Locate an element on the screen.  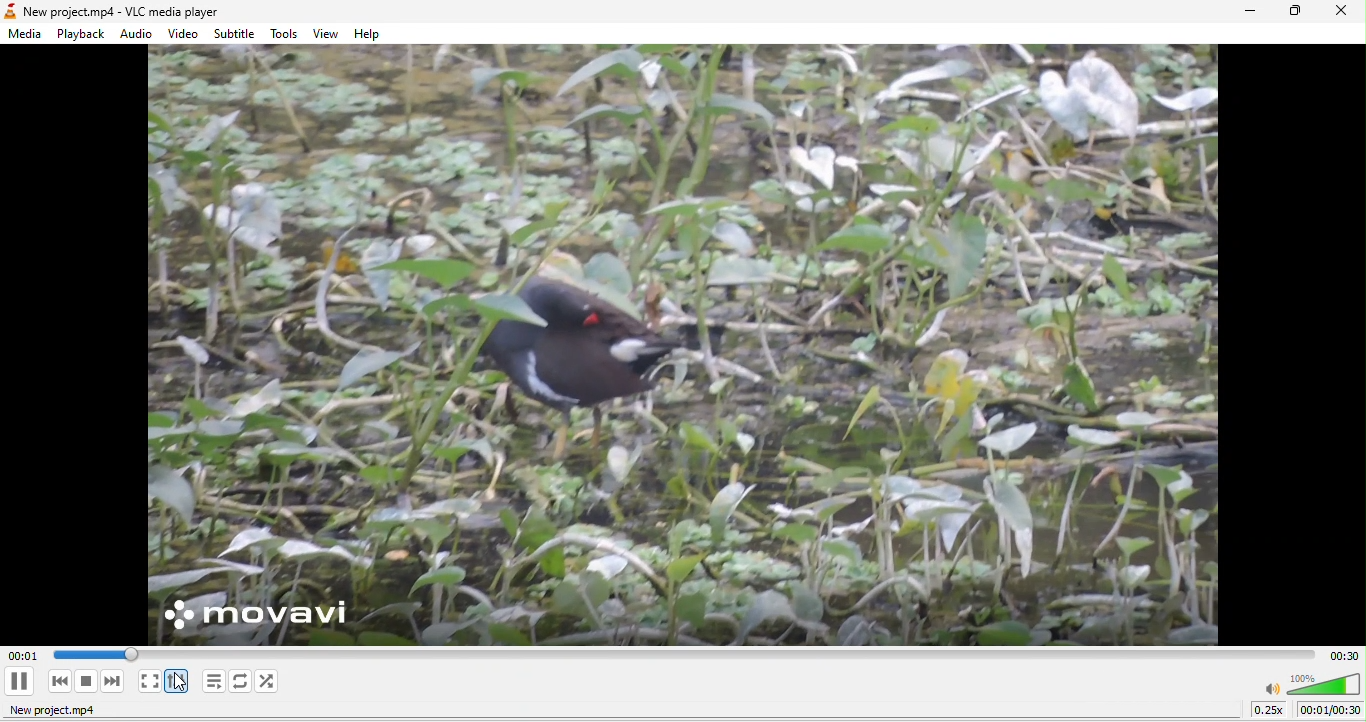
toggle the video in fullscreen is located at coordinates (148, 681).